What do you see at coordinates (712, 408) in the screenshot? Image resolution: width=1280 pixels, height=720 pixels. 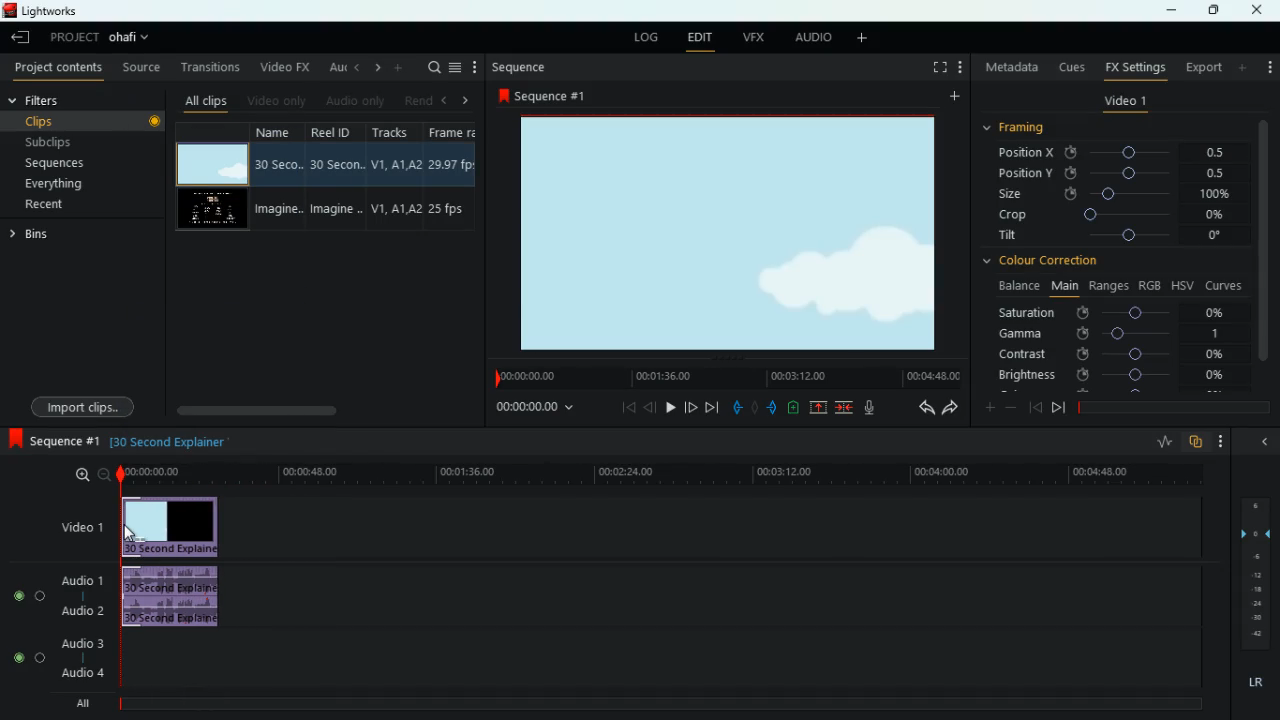 I see `forward` at bounding box center [712, 408].